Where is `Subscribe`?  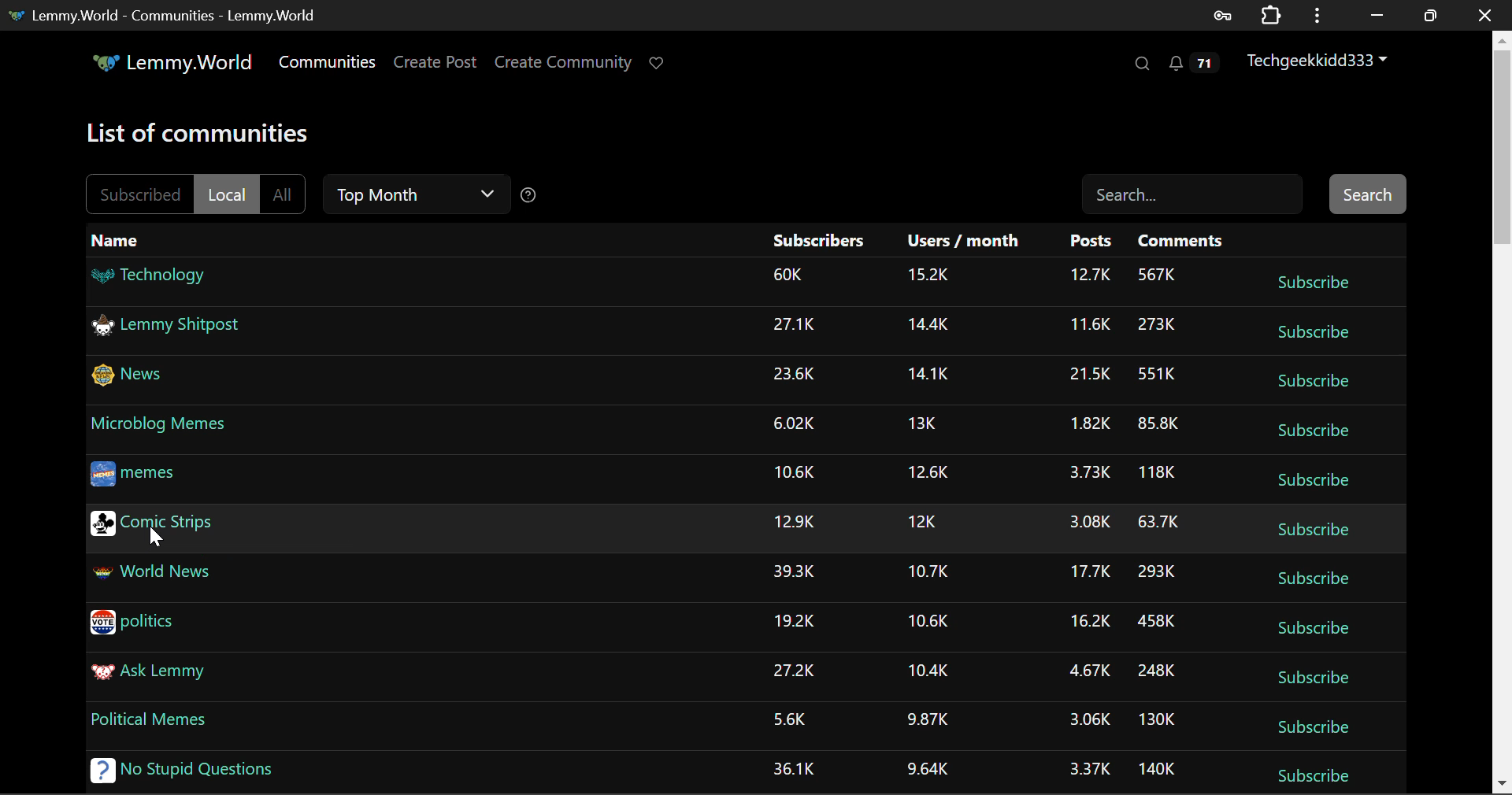
Subscribe is located at coordinates (1315, 631).